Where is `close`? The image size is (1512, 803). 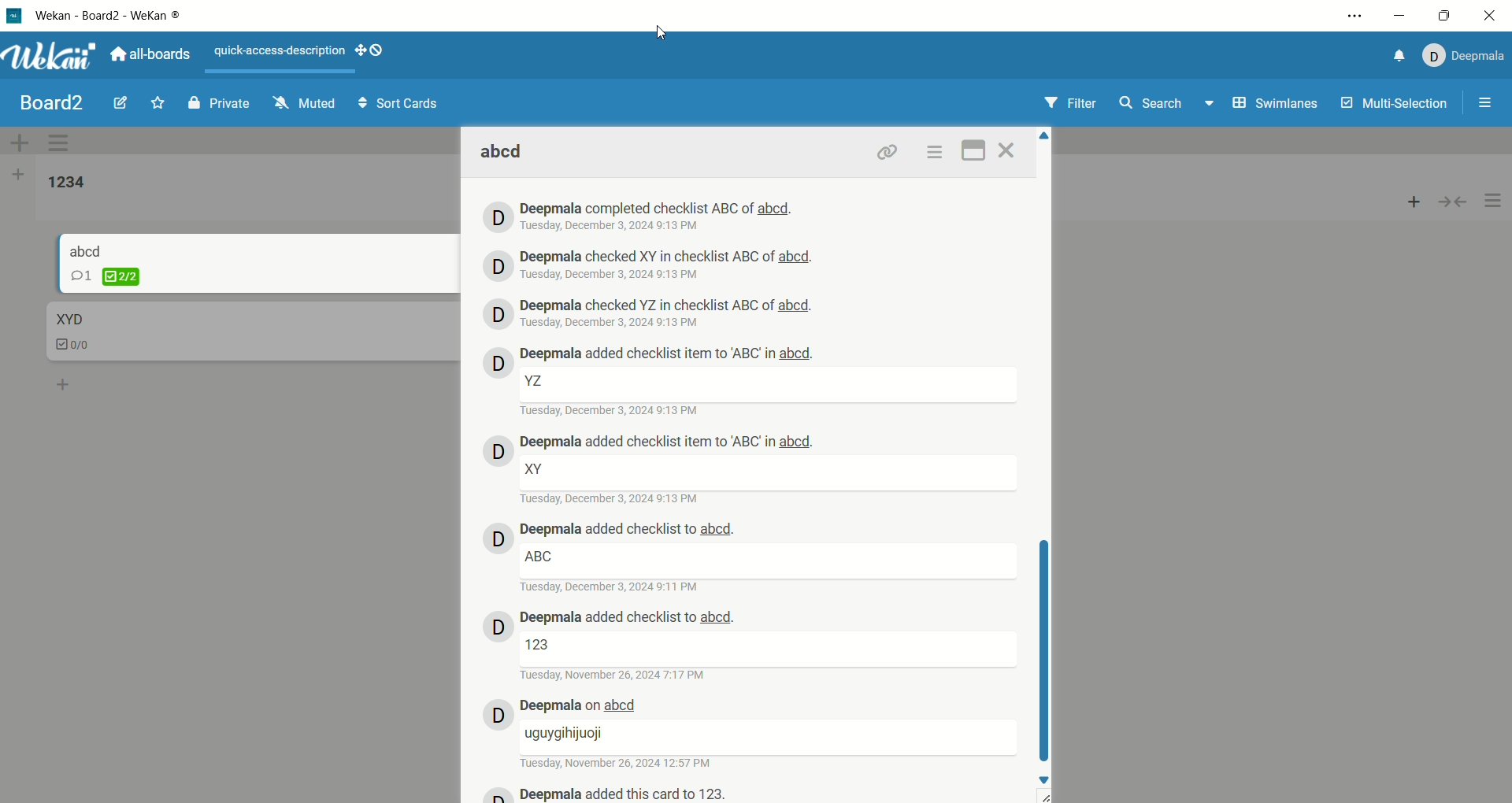 close is located at coordinates (1010, 150).